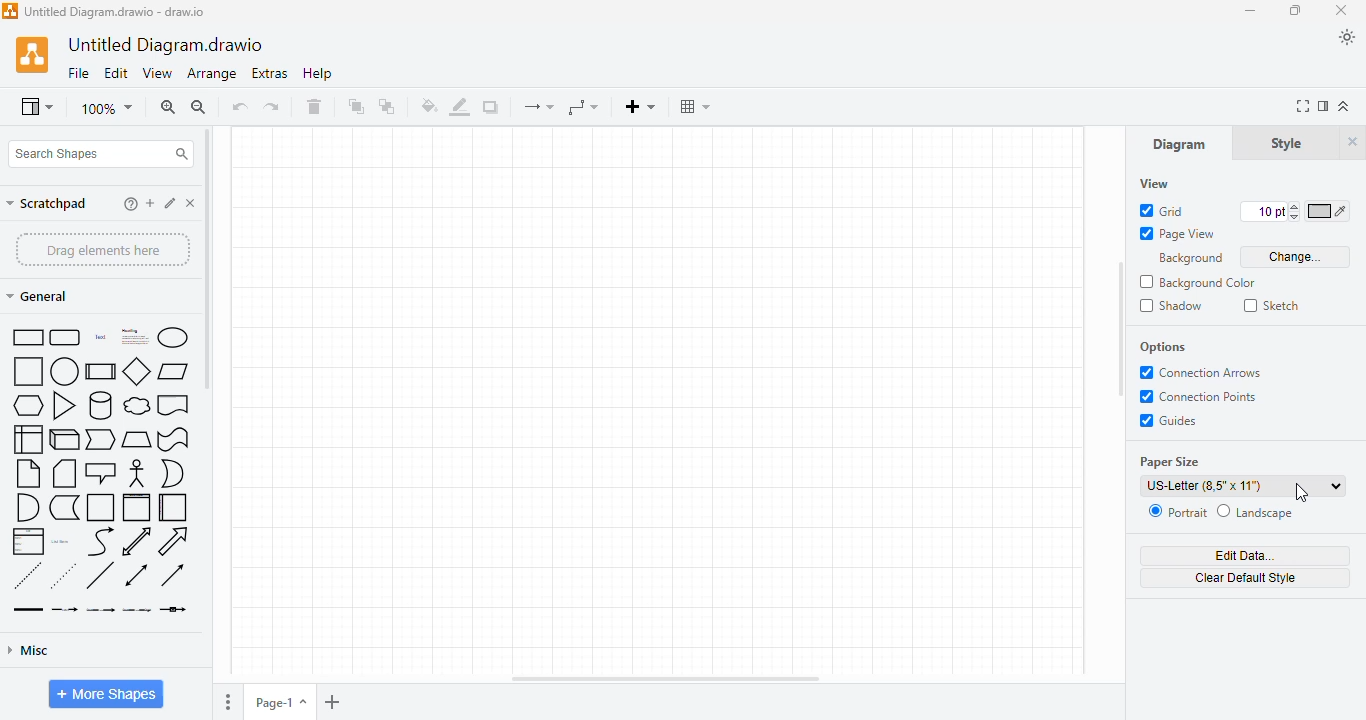  What do you see at coordinates (101, 154) in the screenshot?
I see `search shapes` at bounding box center [101, 154].